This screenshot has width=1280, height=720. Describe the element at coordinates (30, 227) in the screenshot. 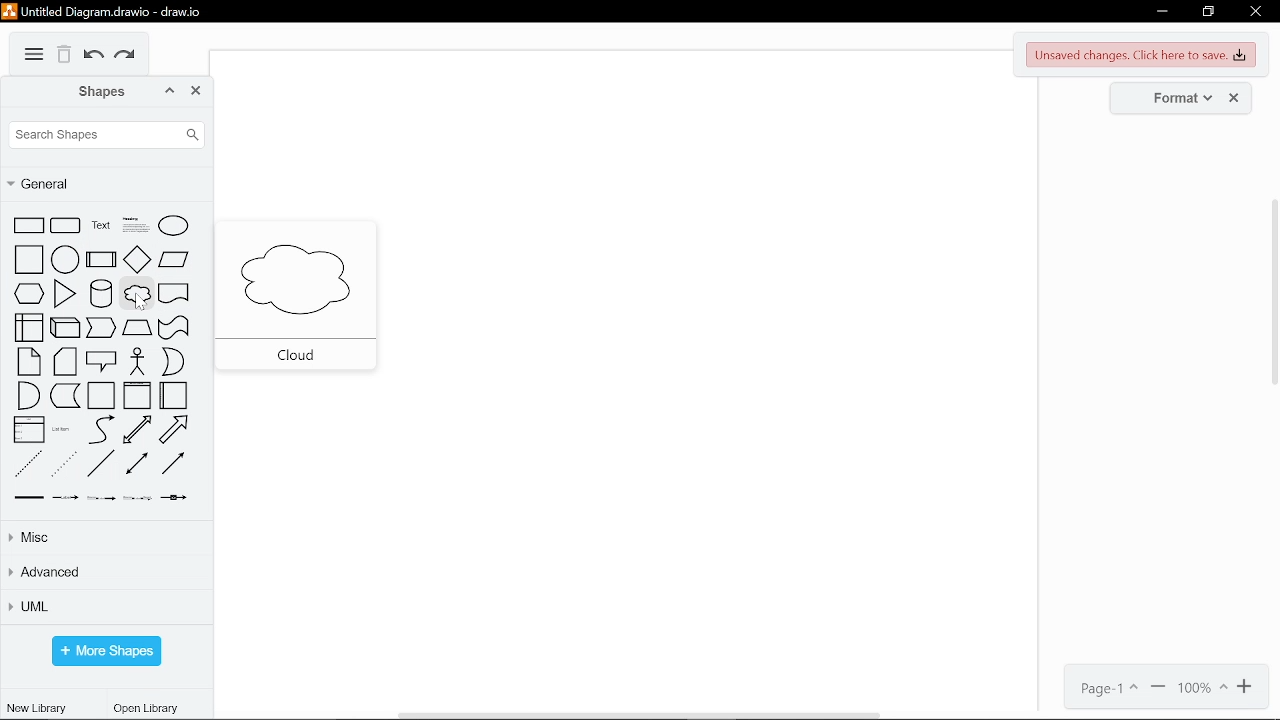

I see `rectangle` at that location.